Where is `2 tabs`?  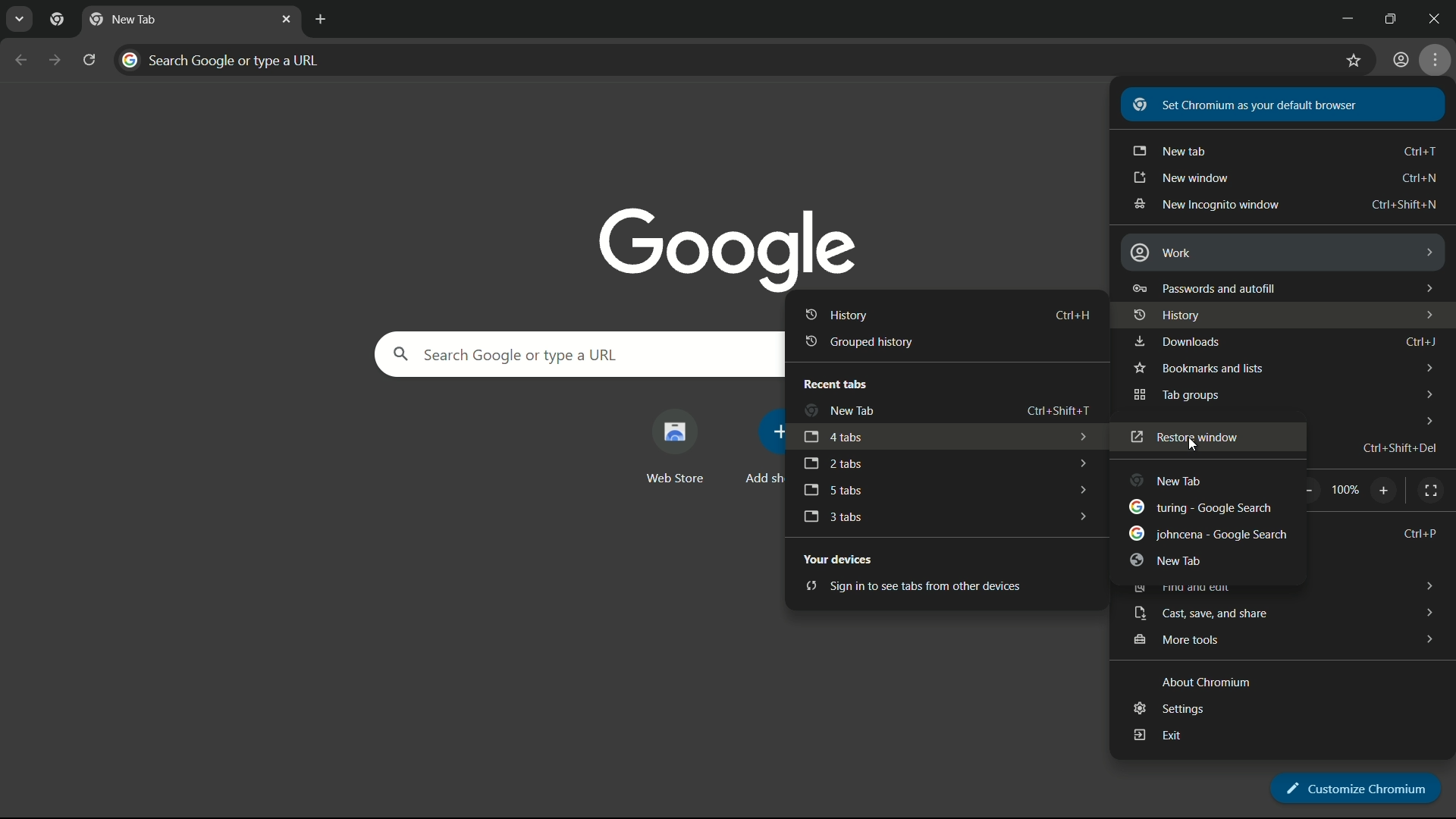 2 tabs is located at coordinates (833, 464).